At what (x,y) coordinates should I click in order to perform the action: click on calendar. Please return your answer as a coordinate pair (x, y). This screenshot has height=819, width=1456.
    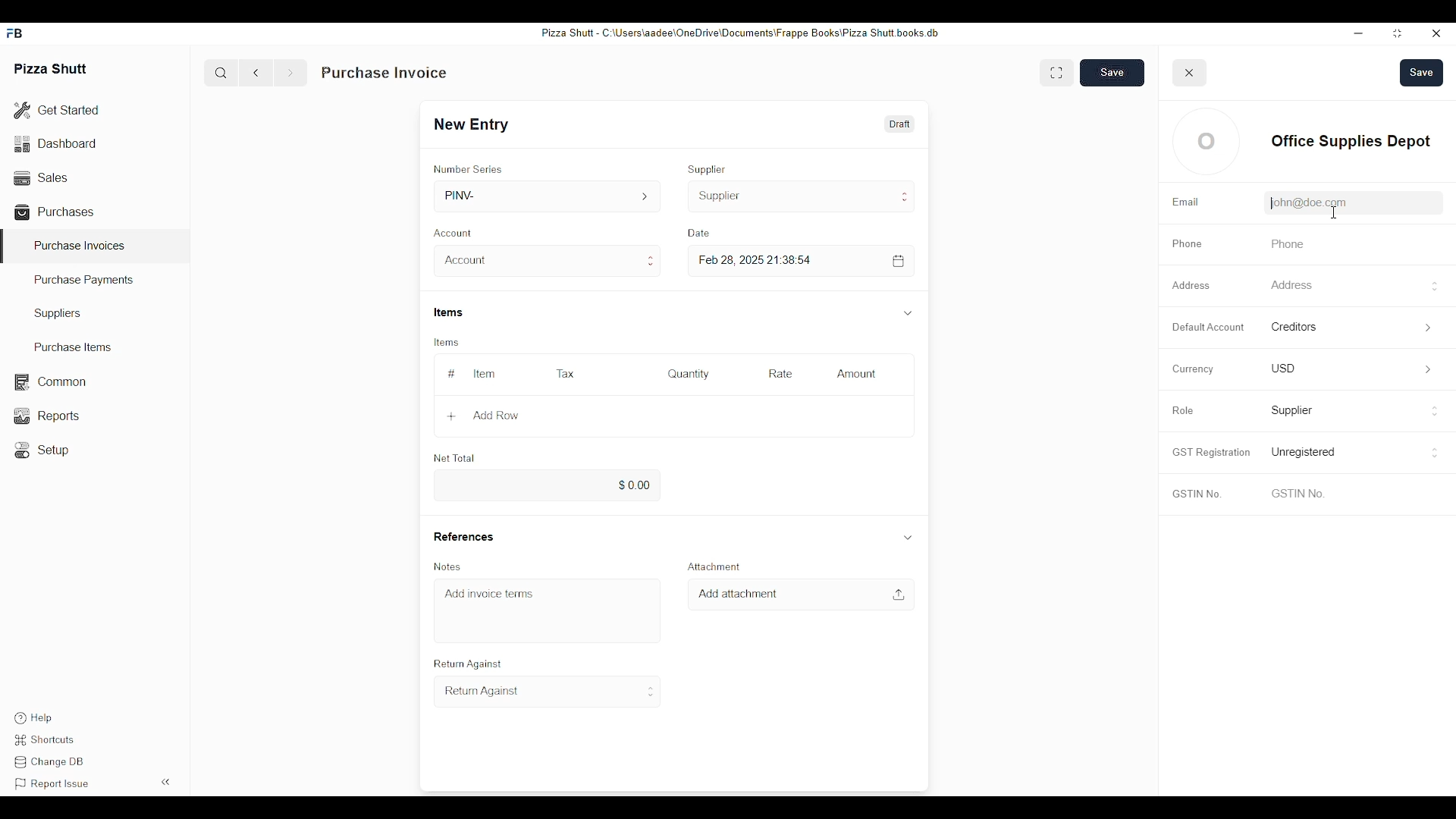
    Looking at the image, I should click on (899, 261).